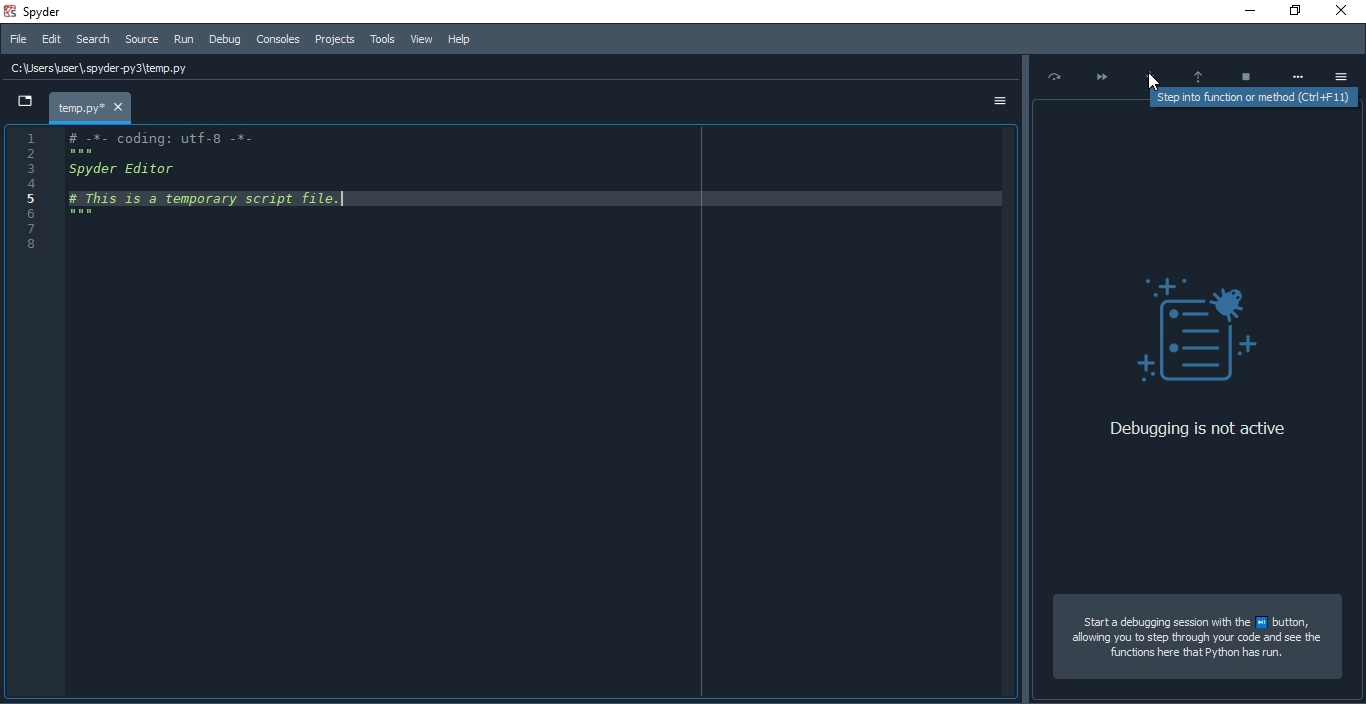 This screenshot has height=704, width=1366. I want to click on Source, so click(142, 40).